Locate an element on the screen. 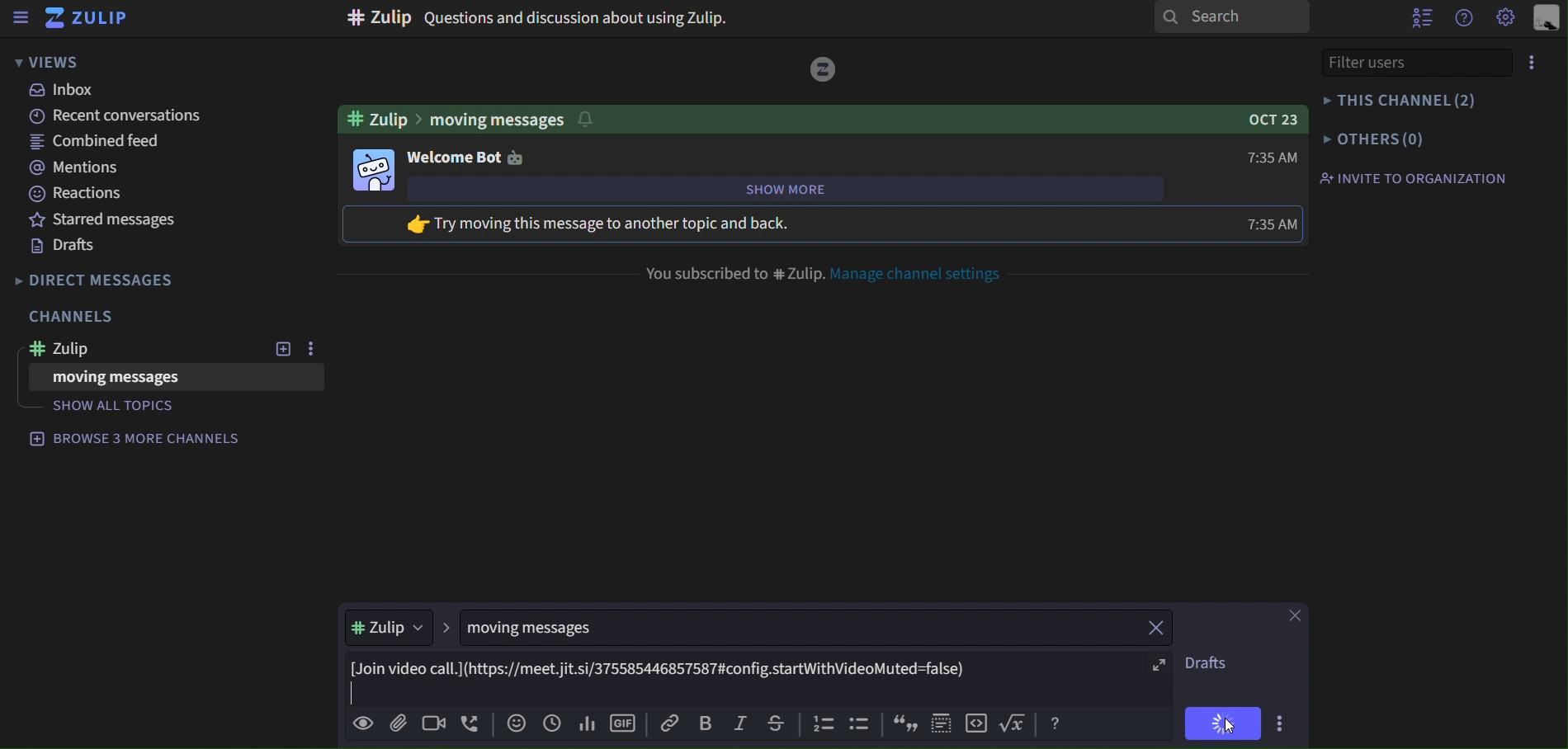  recent conversations is located at coordinates (122, 118).